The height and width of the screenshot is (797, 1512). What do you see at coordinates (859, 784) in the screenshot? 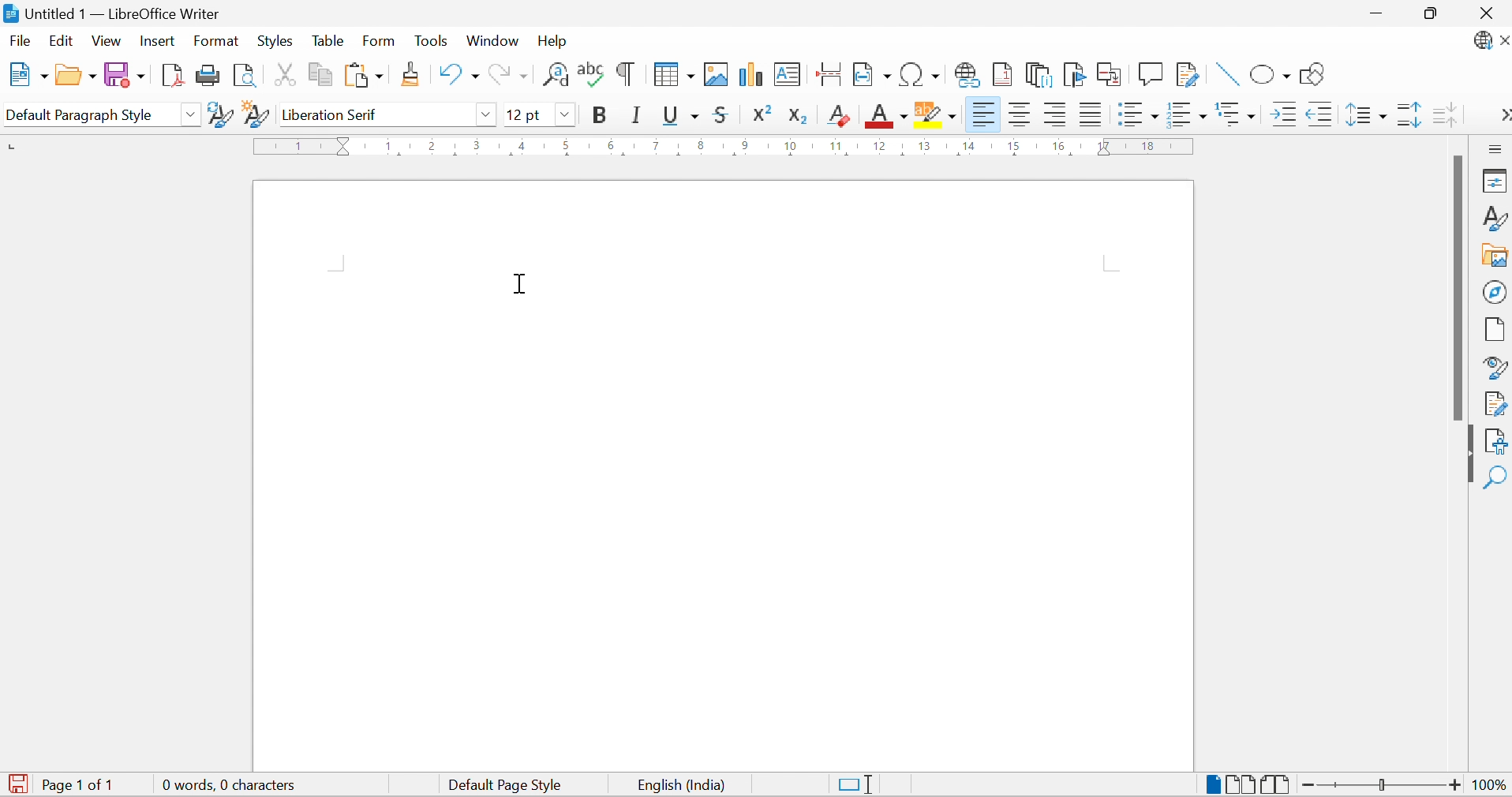
I see `Standard Selection. Click to change selection mode.` at bounding box center [859, 784].